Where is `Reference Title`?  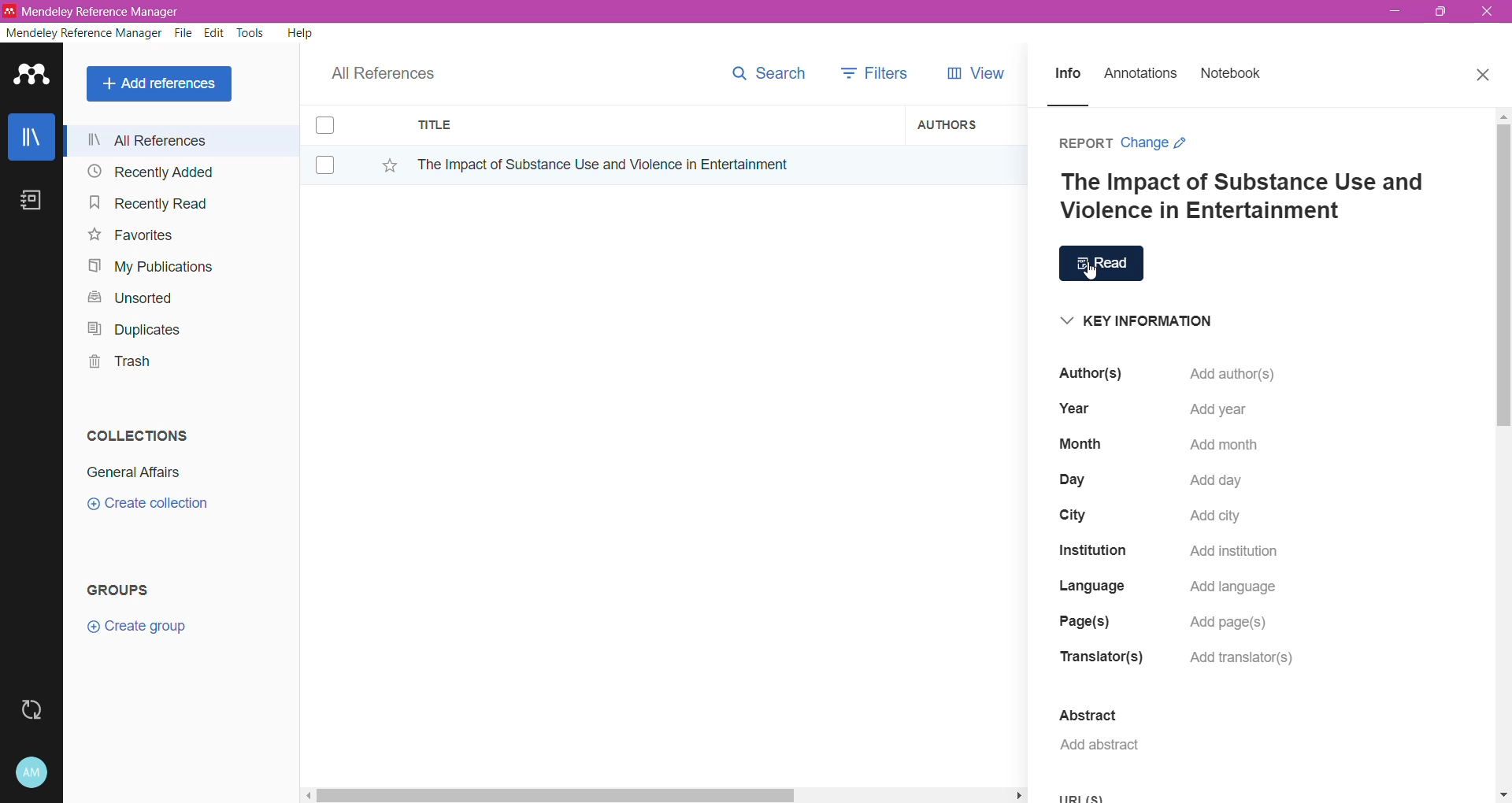 Reference Title is located at coordinates (1239, 198).